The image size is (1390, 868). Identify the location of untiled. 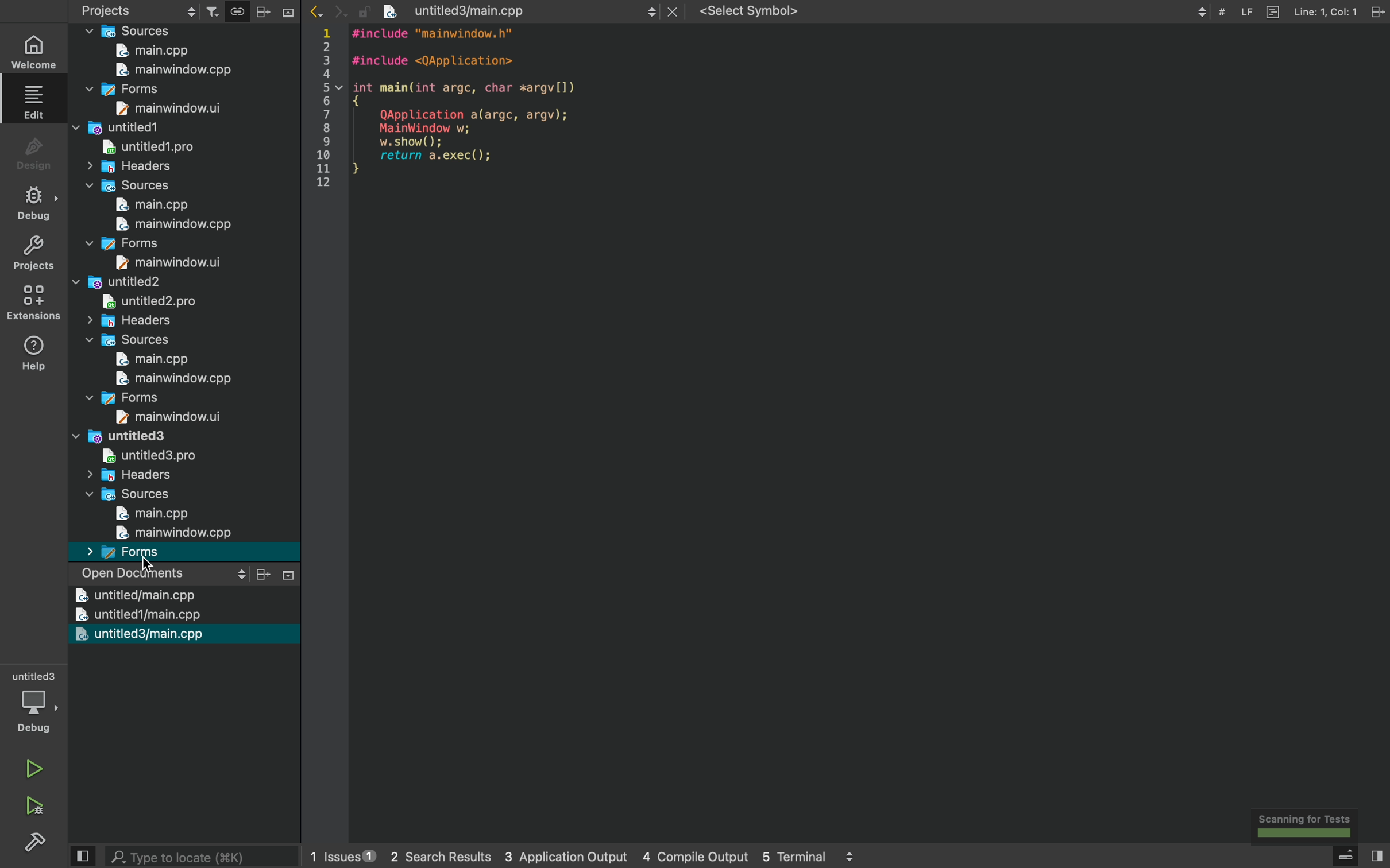
(117, 129).